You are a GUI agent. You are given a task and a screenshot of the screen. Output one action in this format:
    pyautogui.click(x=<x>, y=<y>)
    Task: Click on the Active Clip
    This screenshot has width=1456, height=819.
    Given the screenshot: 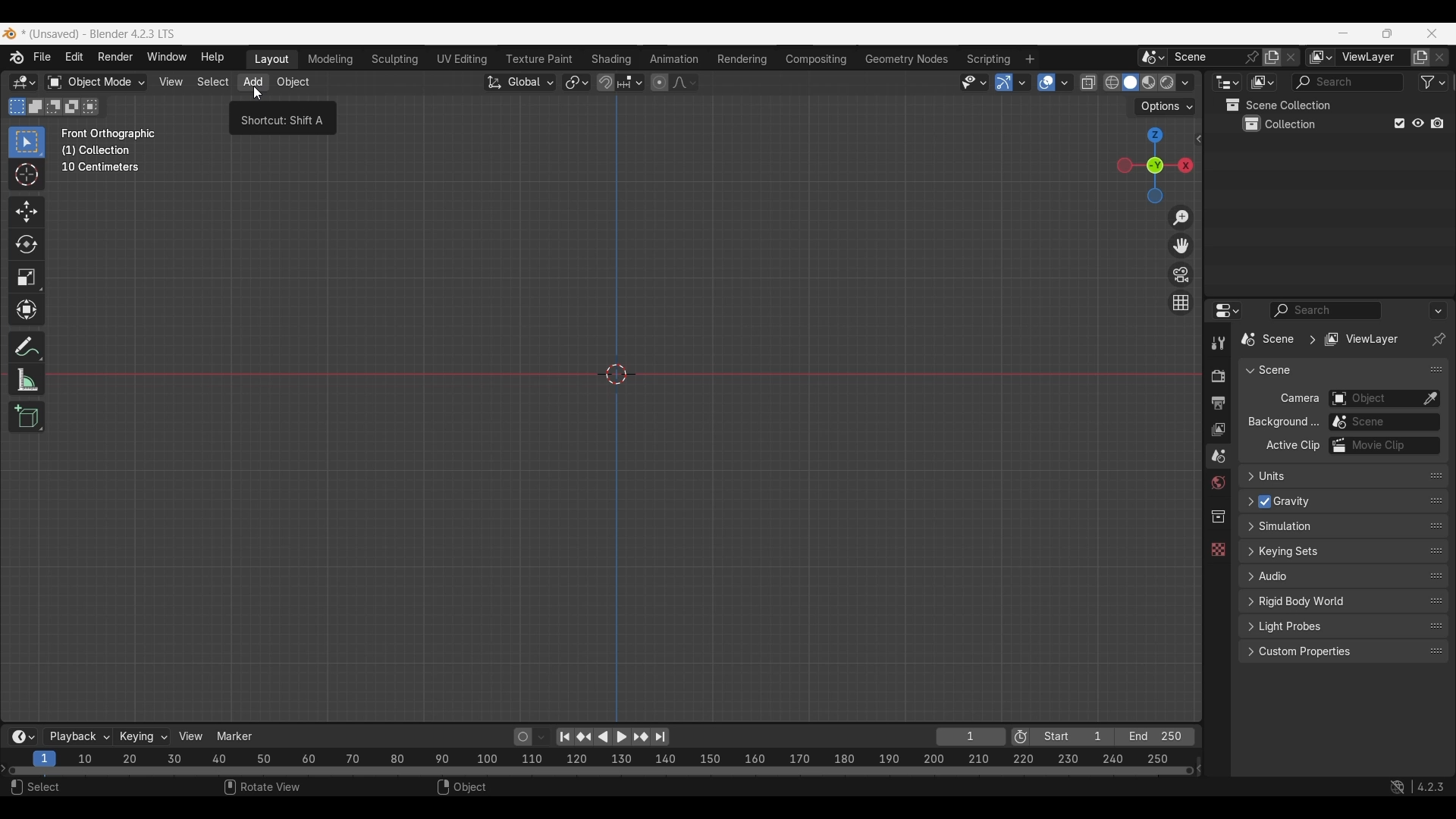 What is the action you would take?
    pyautogui.click(x=1290, y=446)
    